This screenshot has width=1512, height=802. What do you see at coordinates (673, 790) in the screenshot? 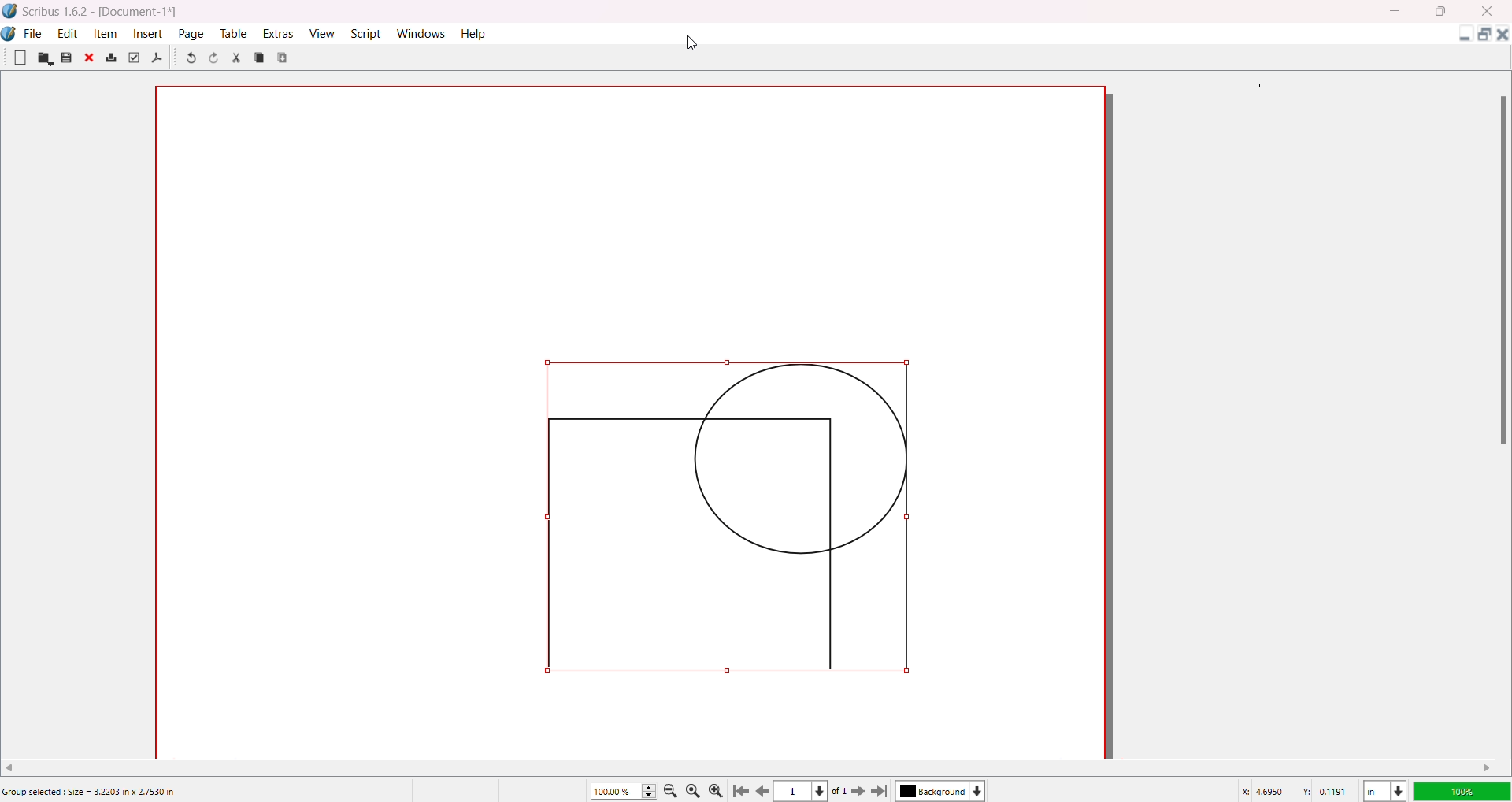
I see `Zoom out` at bounding box center [673, 790].